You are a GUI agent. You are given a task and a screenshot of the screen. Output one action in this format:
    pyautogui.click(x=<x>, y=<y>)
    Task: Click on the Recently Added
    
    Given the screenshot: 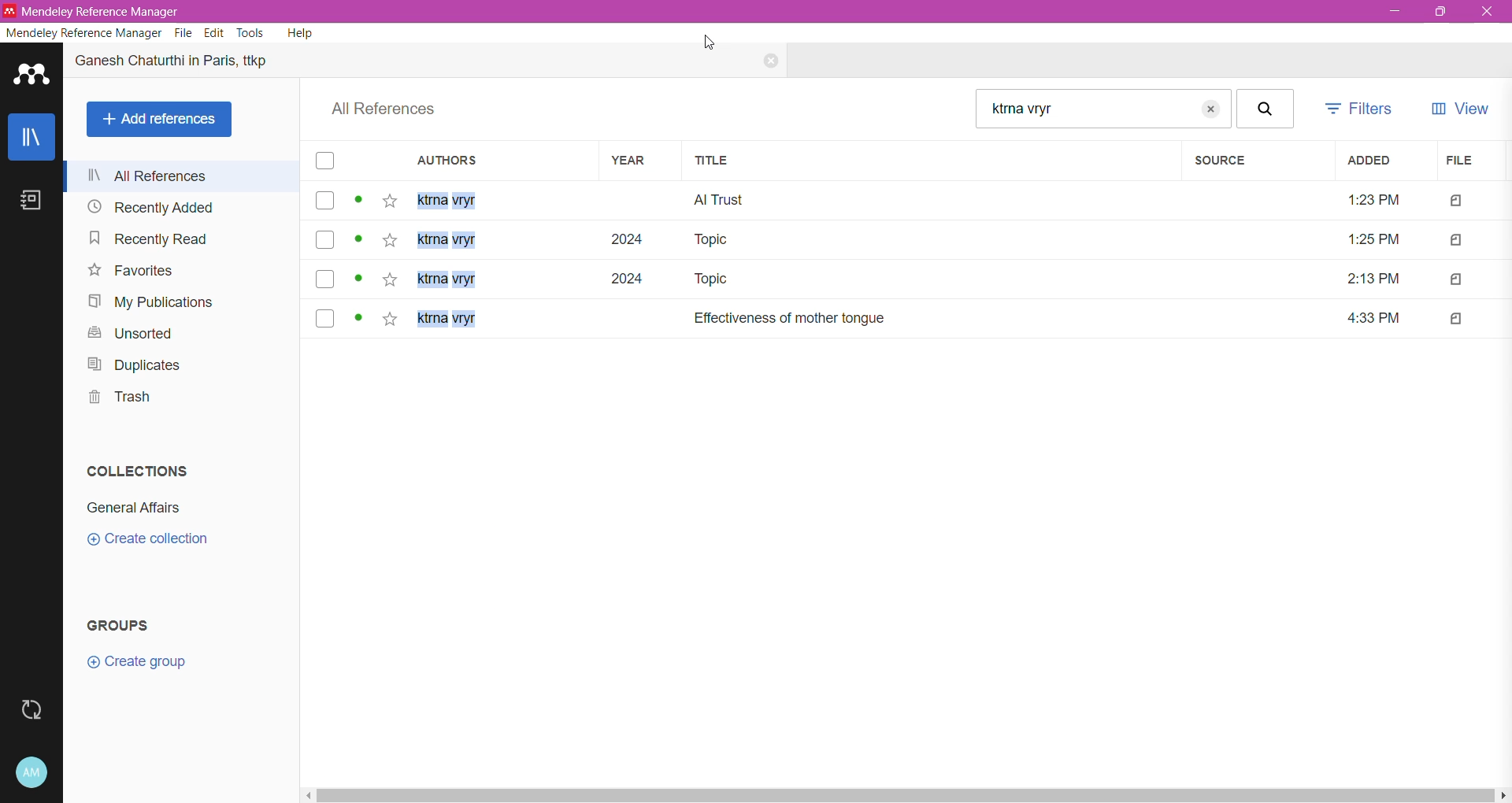 What is the action you would take?
    pyautogui.click(x=149, y=206)
    